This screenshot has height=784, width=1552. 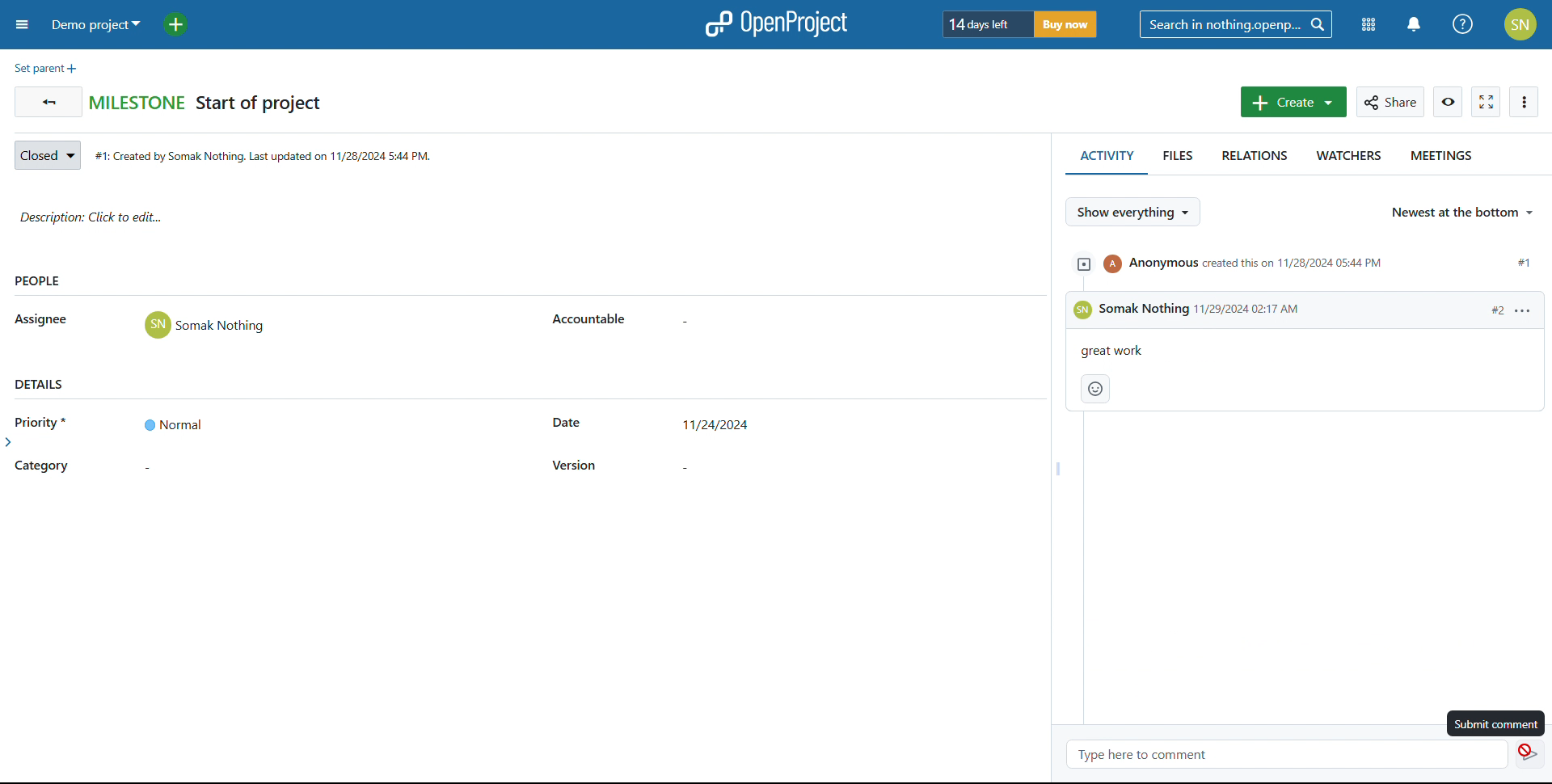 I want to click on create, so click(x=1294, y=101).